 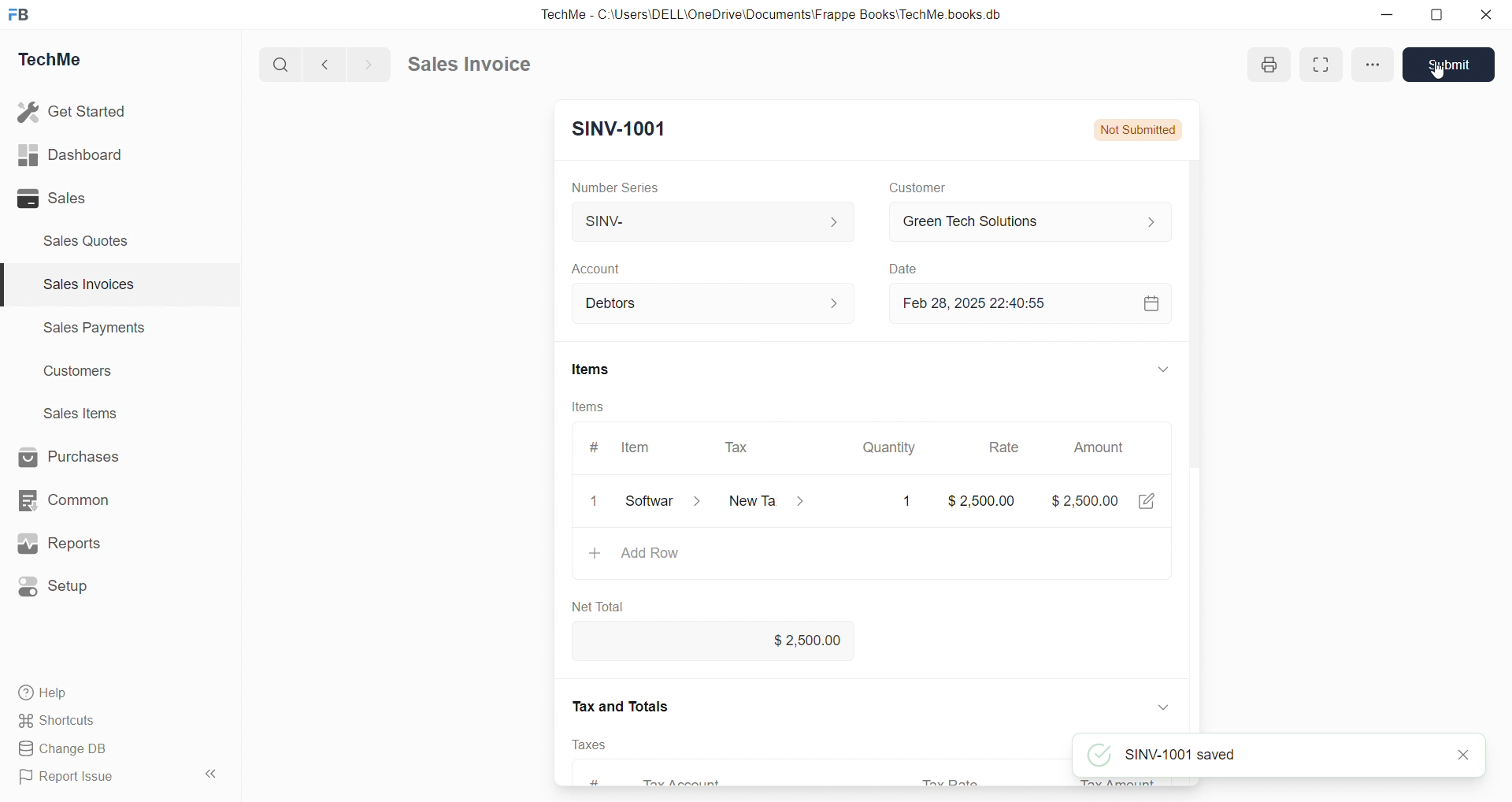 I want to click on Tax Amount, so click(x=1117, y=781).